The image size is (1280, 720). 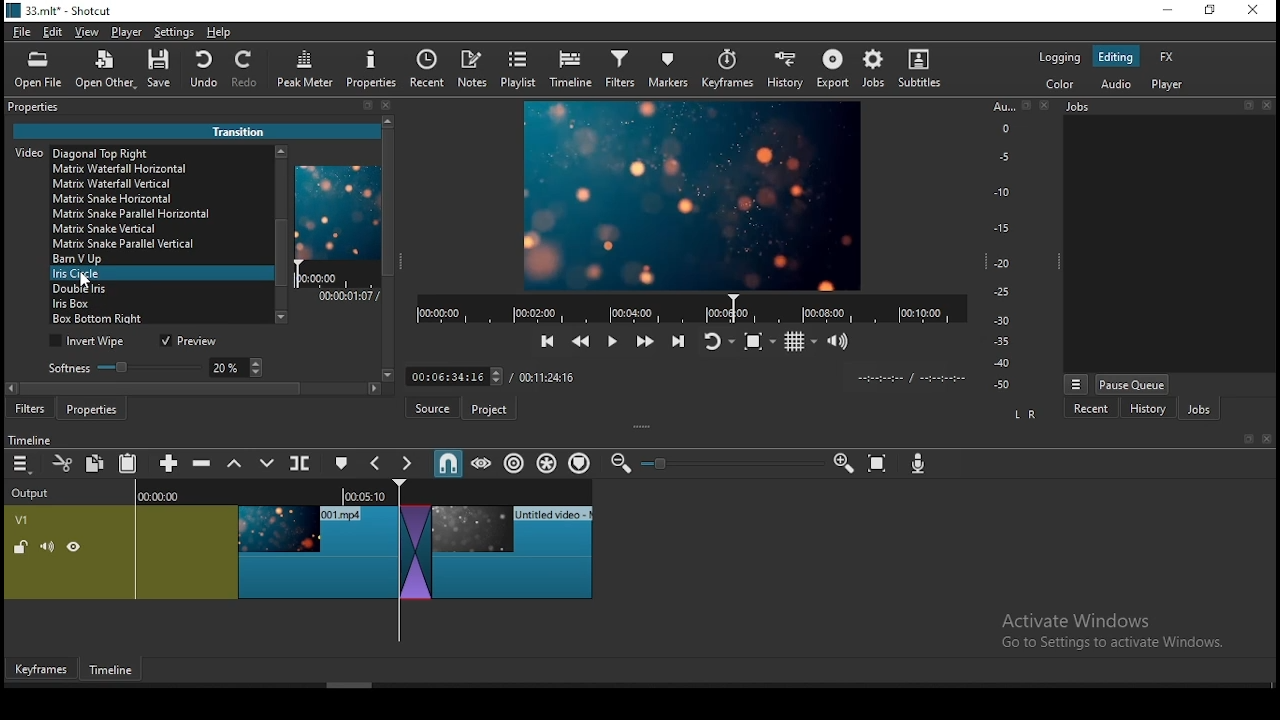 I want to click on lift, so click(x=235, y=464).